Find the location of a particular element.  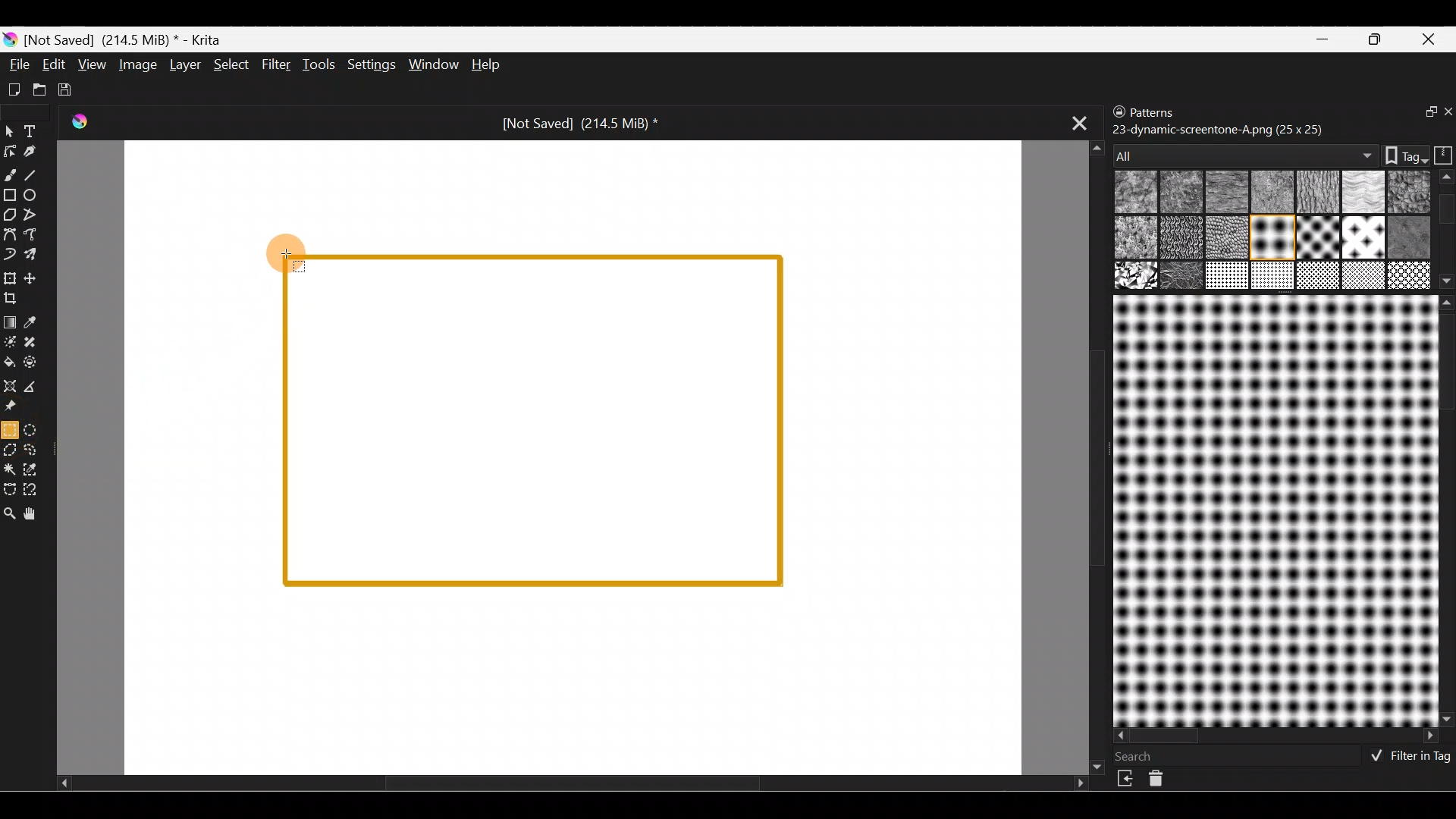

09 drawed_crosshatched.png is located at coordinates (1179, 239).